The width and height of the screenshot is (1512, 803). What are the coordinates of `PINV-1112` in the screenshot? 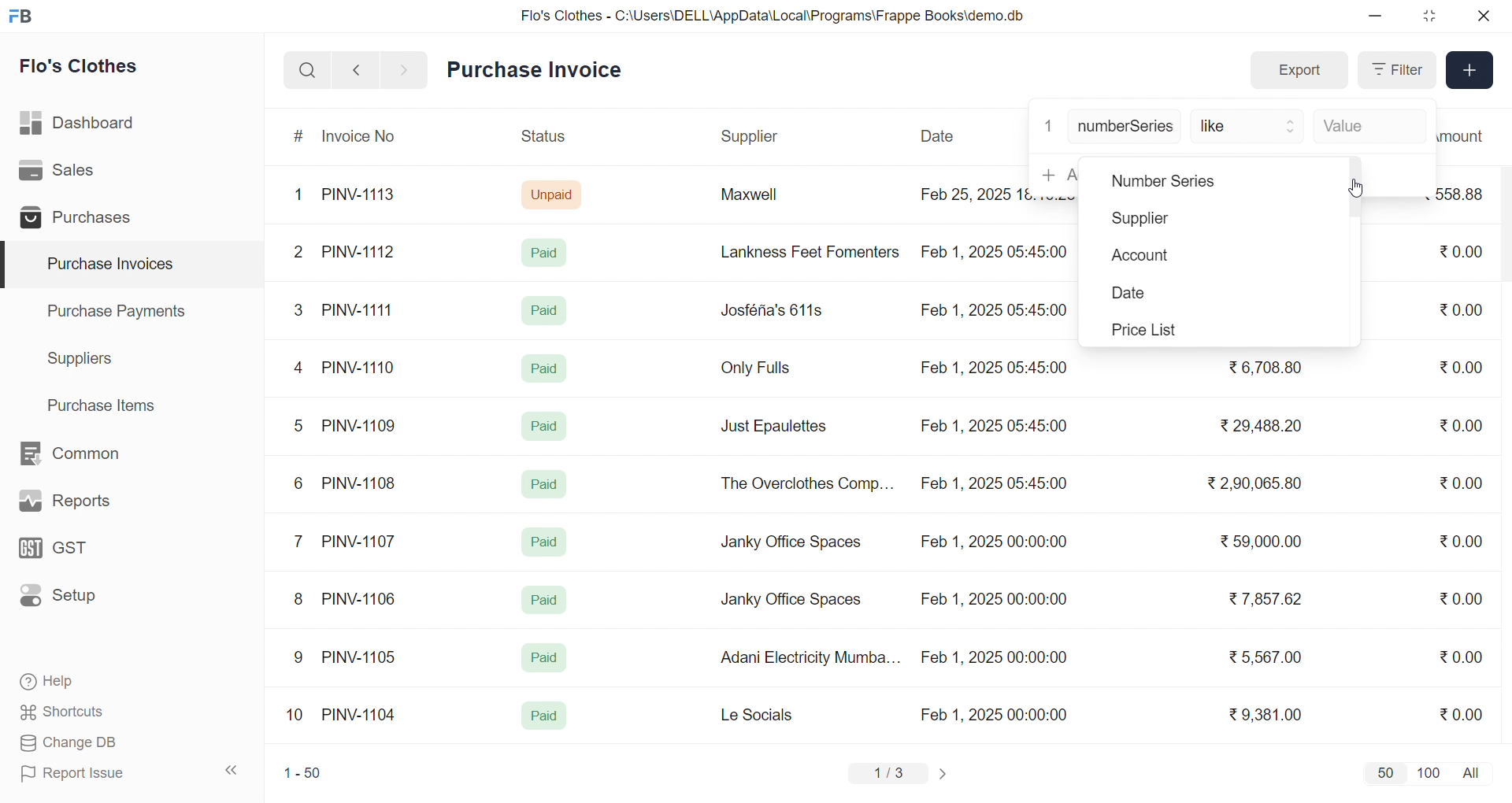 It's located at (358, 253).